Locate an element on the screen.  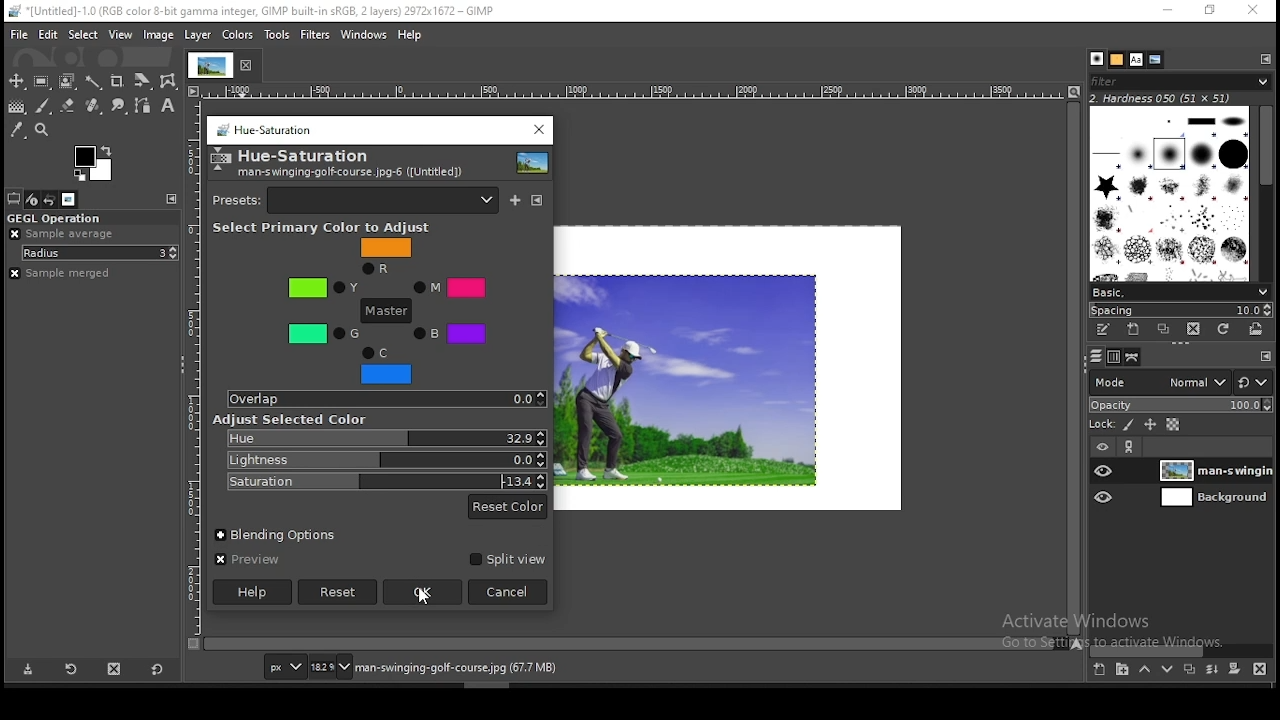
move layer on step up is located at coordinates (1146, 670).